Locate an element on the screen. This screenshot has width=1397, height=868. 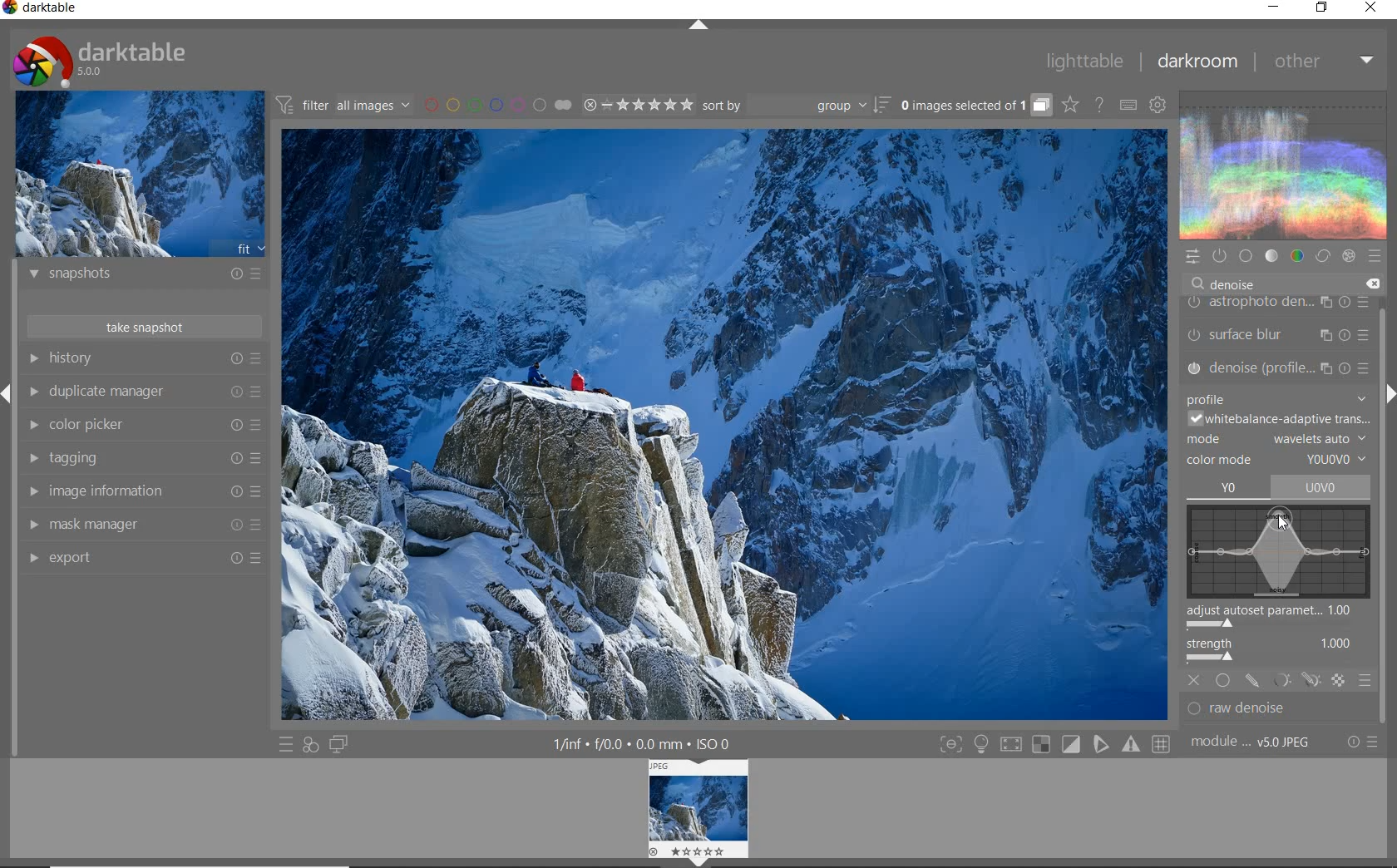
RAW DENOISE is located at coordinates (1264, 710).